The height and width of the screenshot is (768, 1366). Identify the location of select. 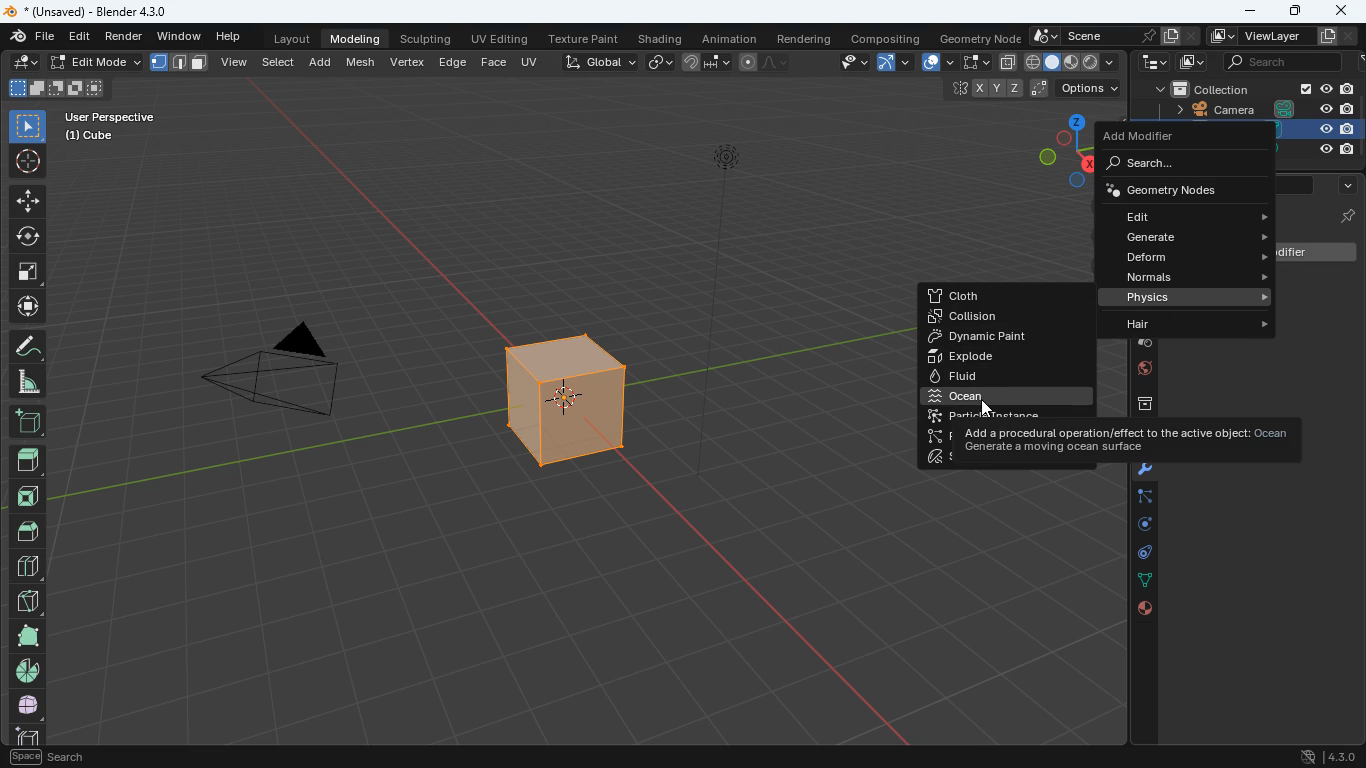
(28, 124).